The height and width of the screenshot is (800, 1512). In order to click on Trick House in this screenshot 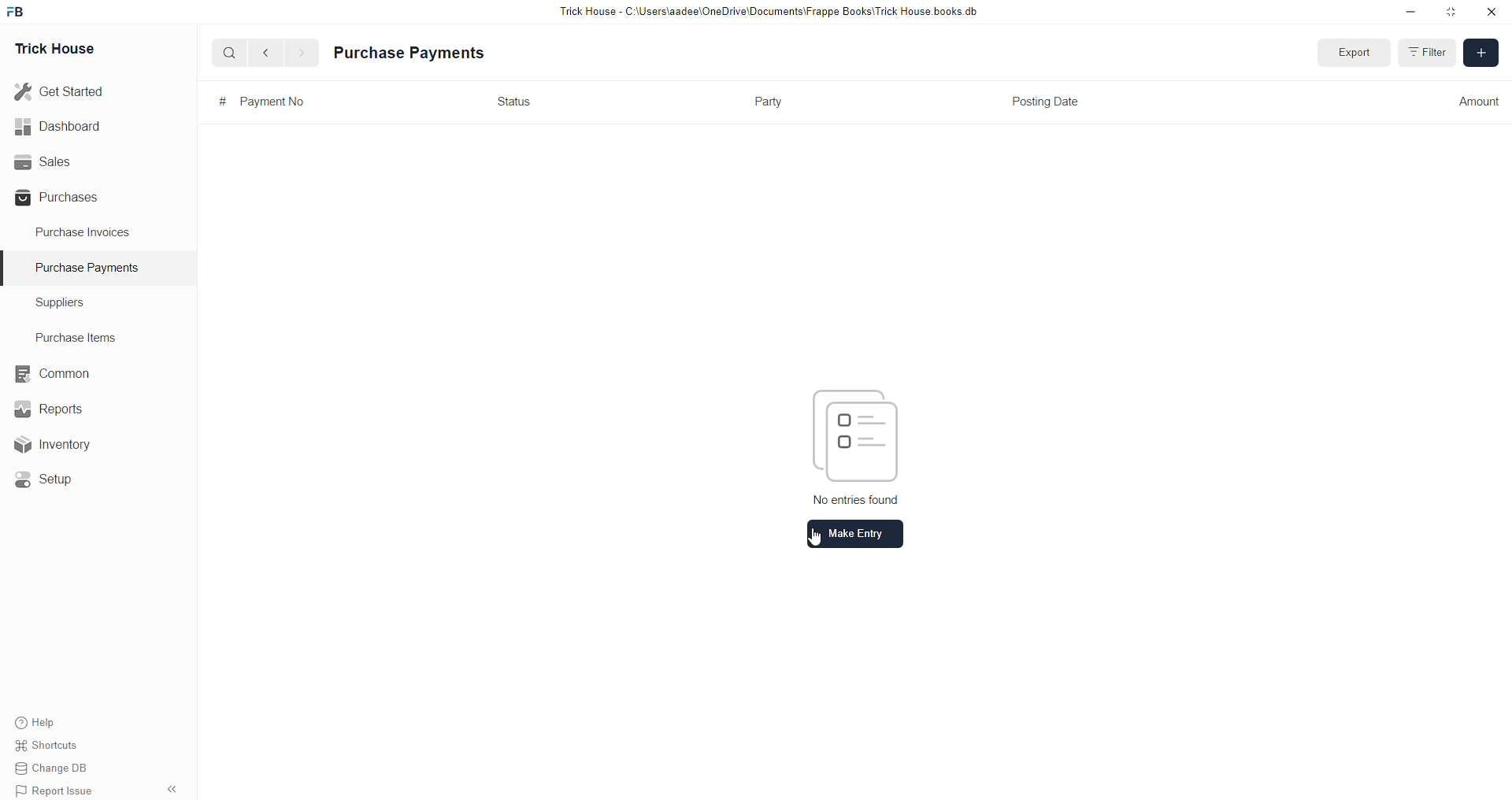, I will do `click(50, 47)`.